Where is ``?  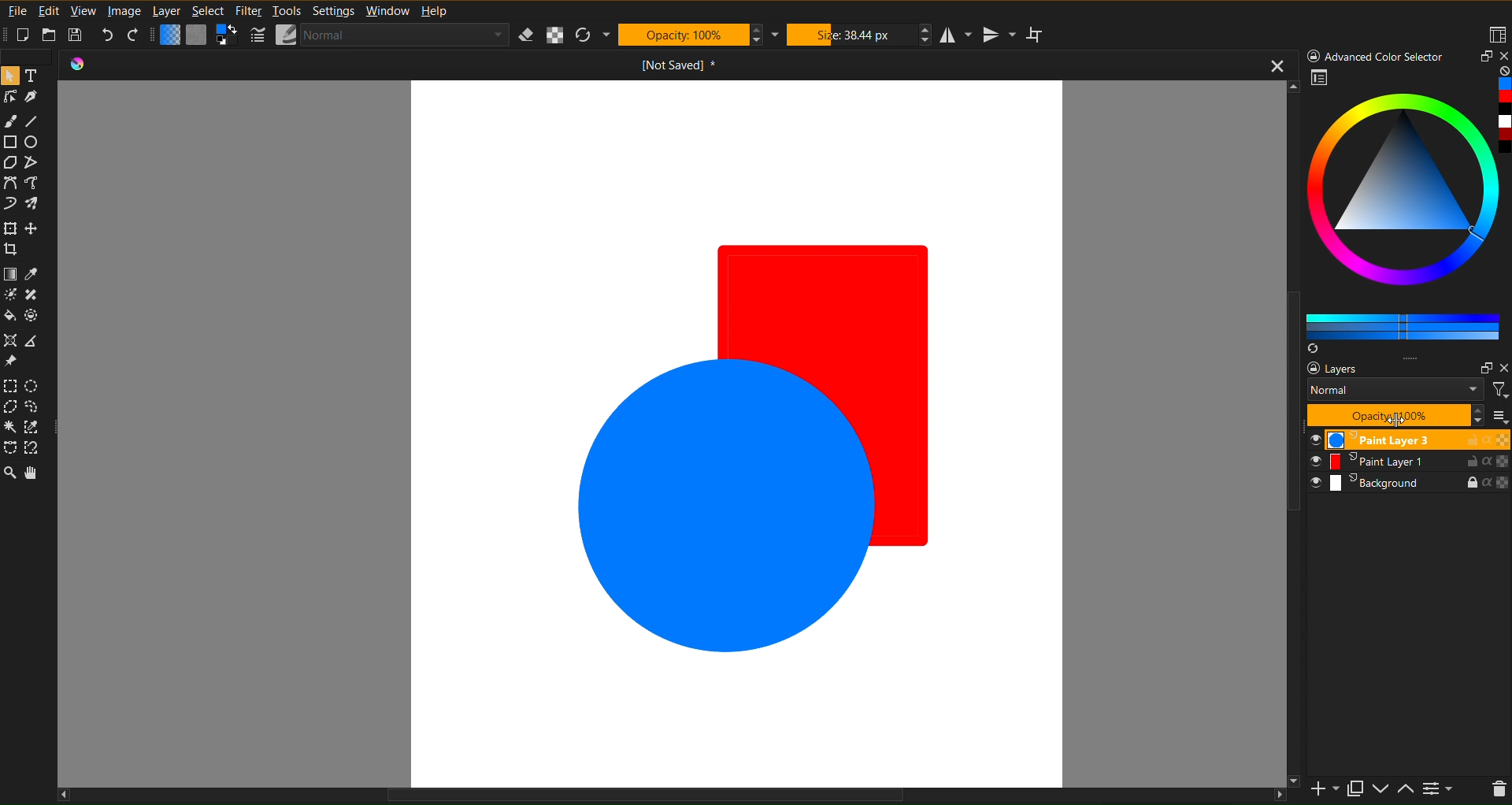
 is located at coordinates (10, 35).